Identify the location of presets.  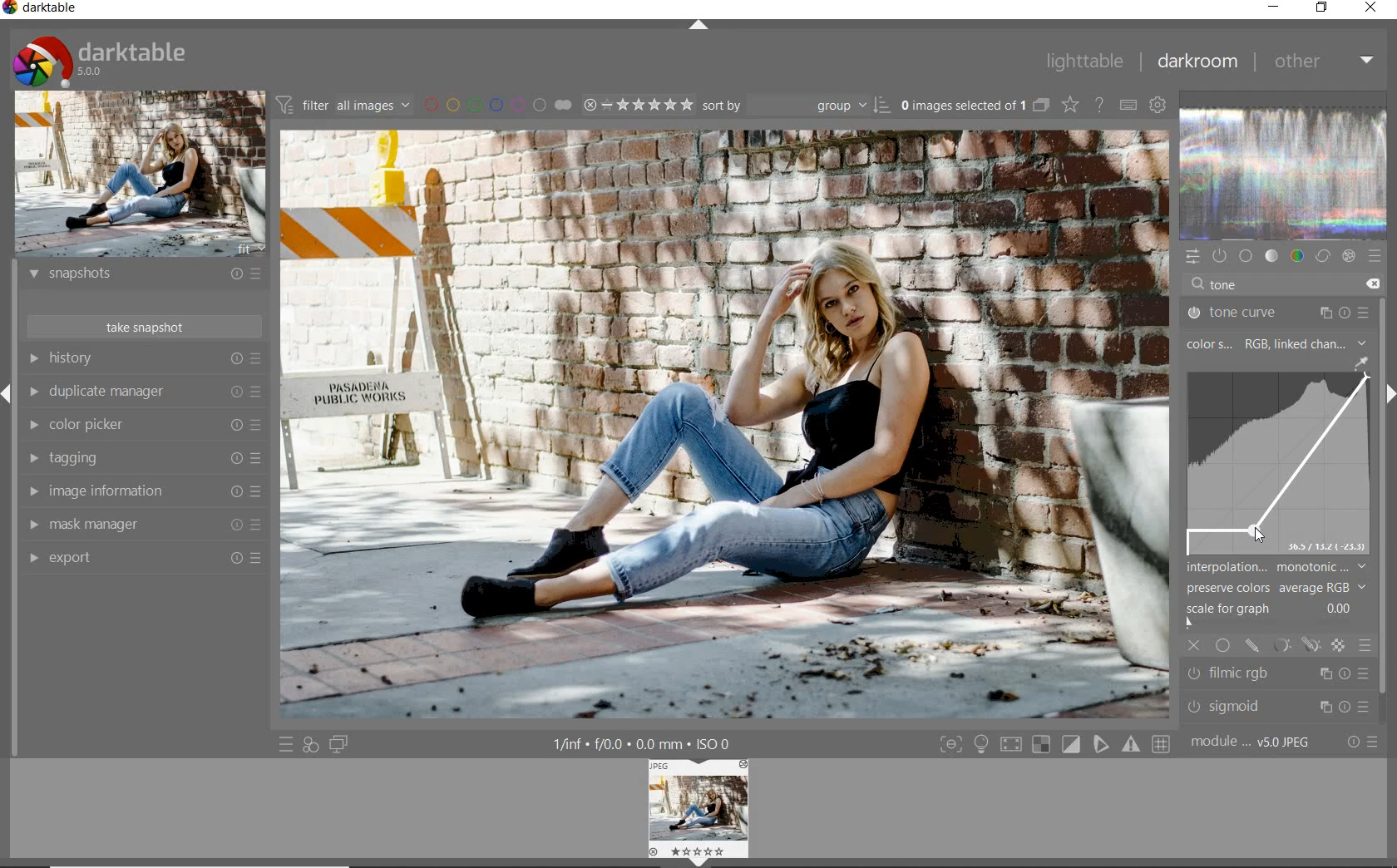
(1376, 258).